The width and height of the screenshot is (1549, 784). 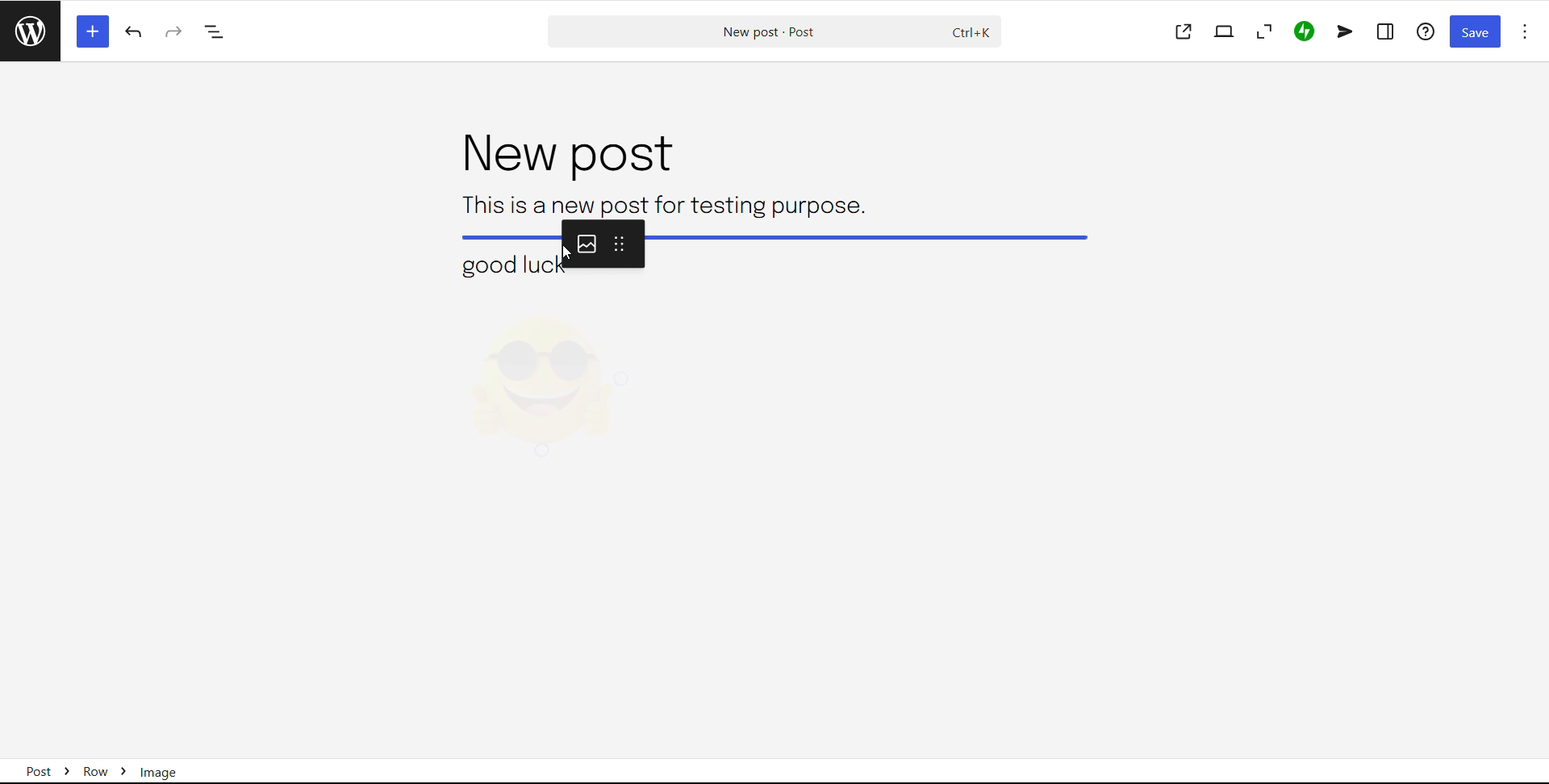 What do you see at coordinates (174, 31) in the screenshot?
I see `redo` at bounding box center [174, 31].